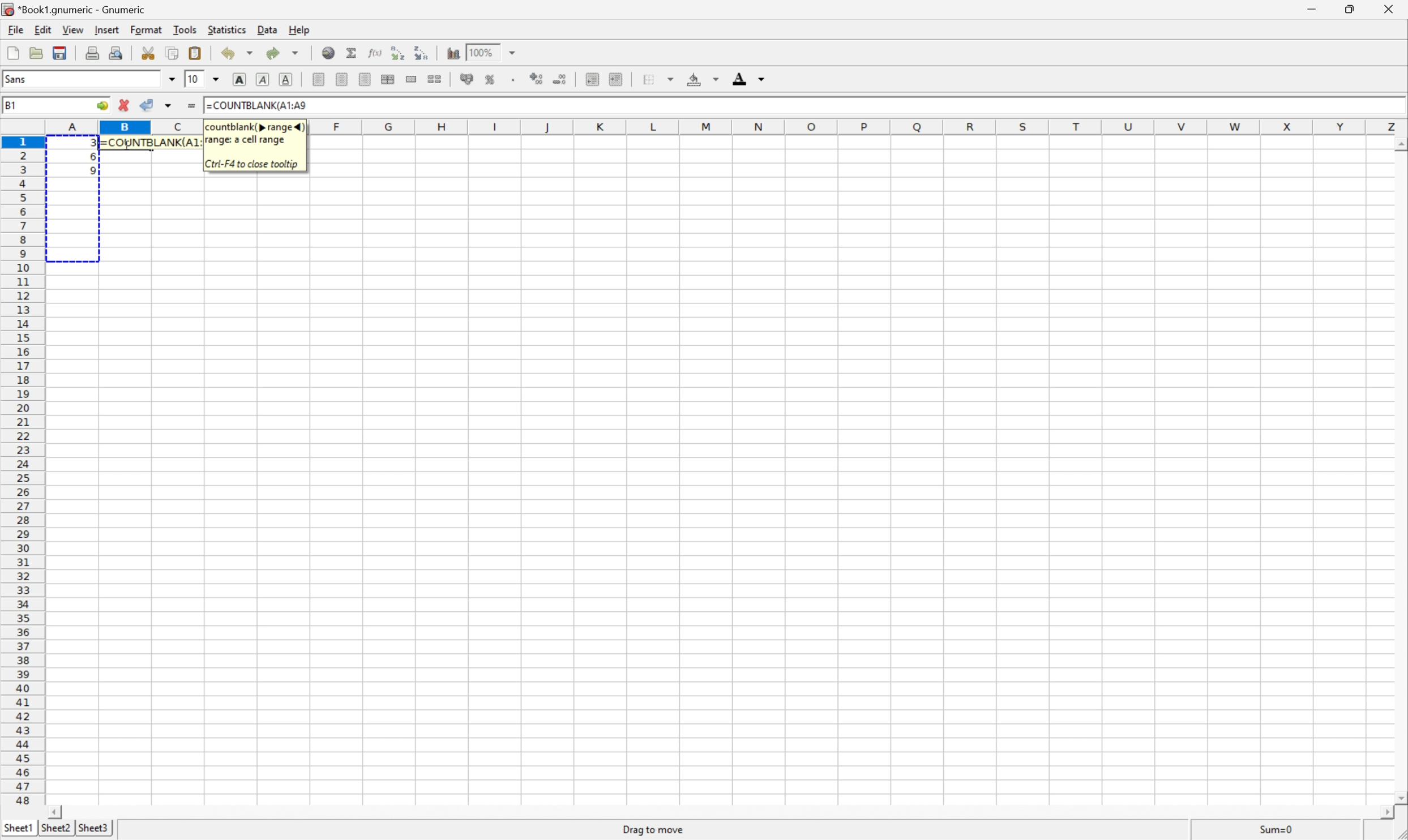 This screenshot has width=1408, height=840. What do you see at coordinates (55, 828) in the screenshot?
I see `Sheet2` at bounding box center [55, 828].